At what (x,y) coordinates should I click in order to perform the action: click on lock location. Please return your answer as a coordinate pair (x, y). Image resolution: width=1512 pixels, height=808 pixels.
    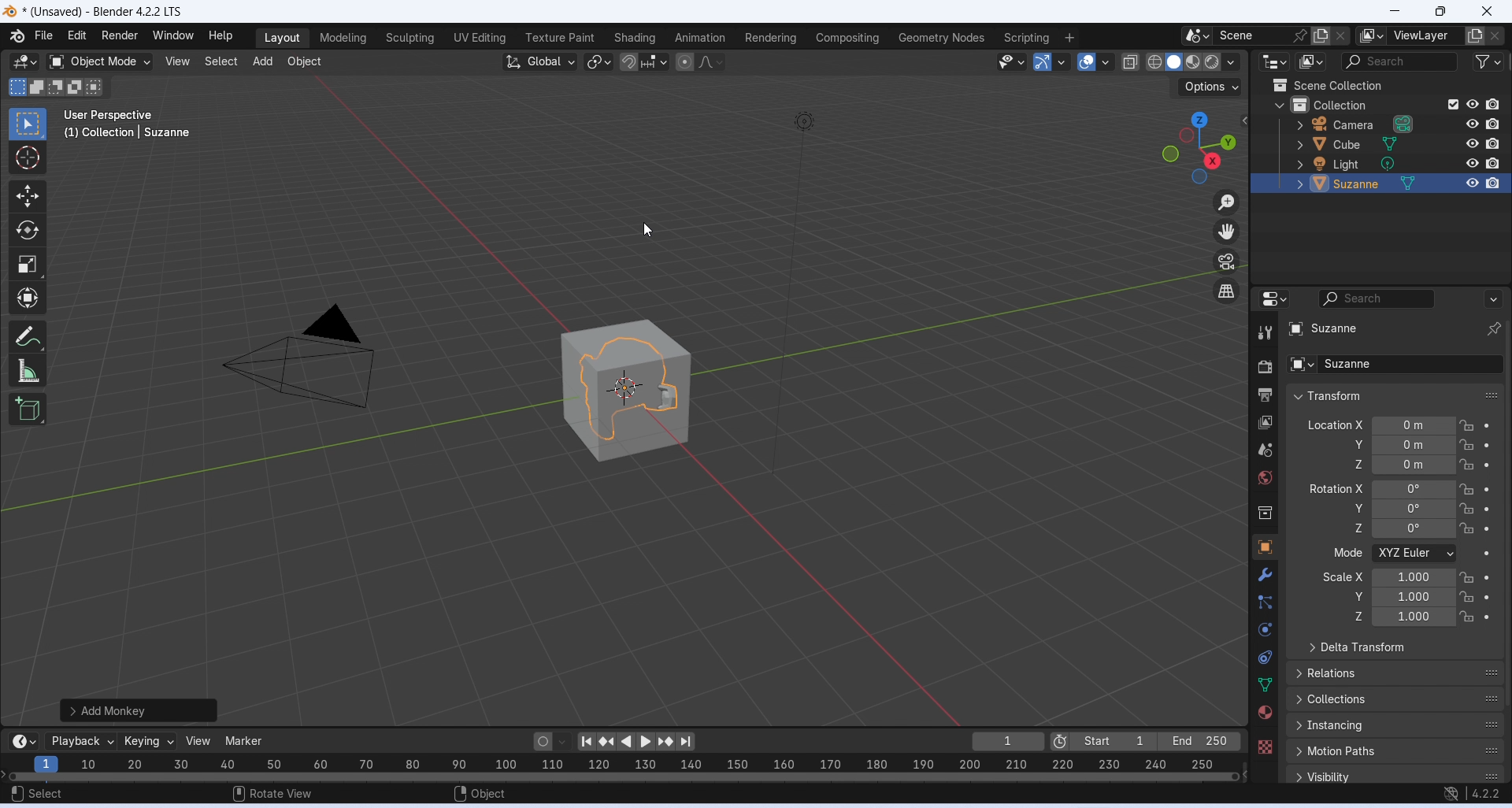
    Looking at the image, I should click on (1468, 528).